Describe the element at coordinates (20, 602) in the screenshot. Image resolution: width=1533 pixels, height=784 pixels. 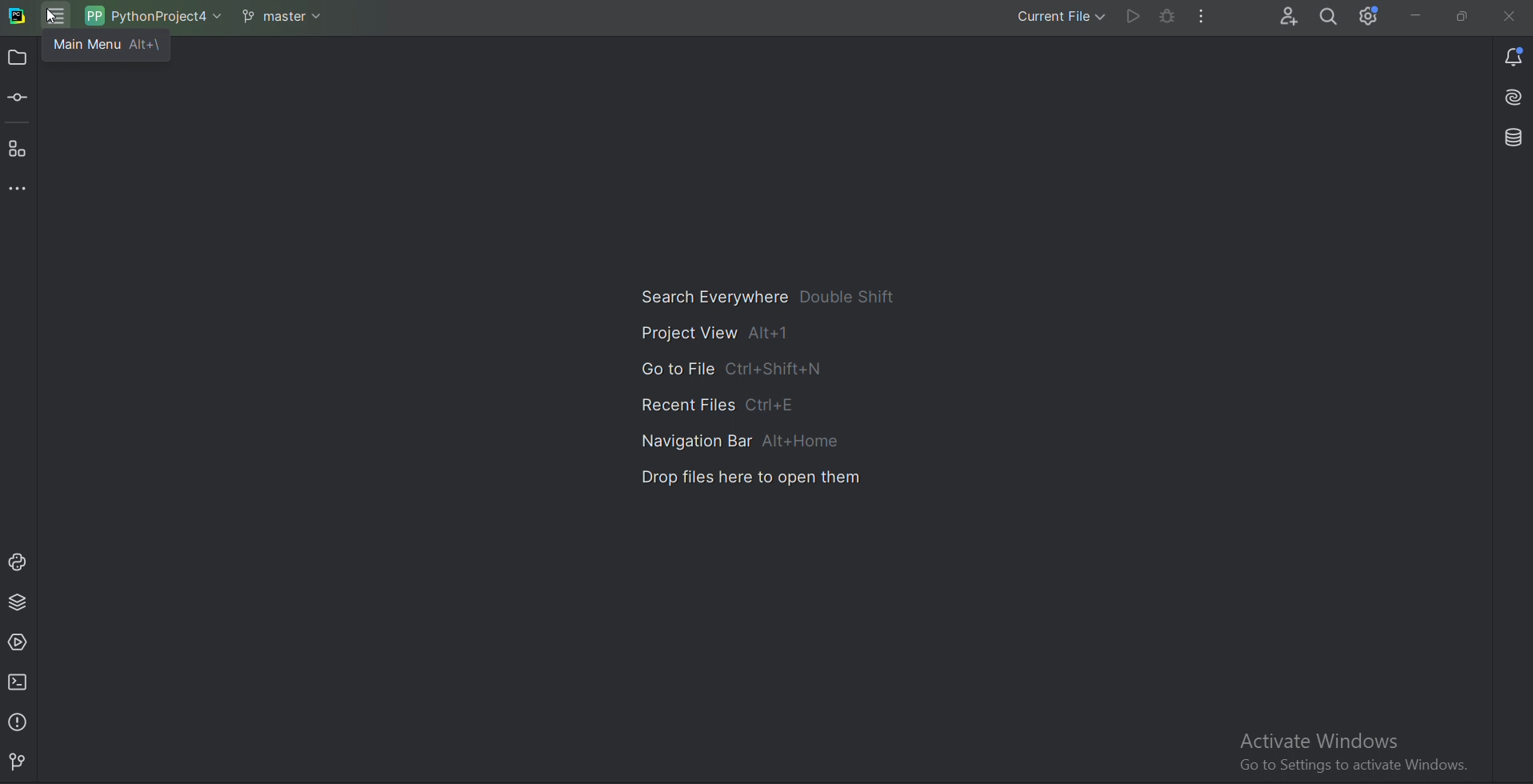
I see `Python package` at that location.